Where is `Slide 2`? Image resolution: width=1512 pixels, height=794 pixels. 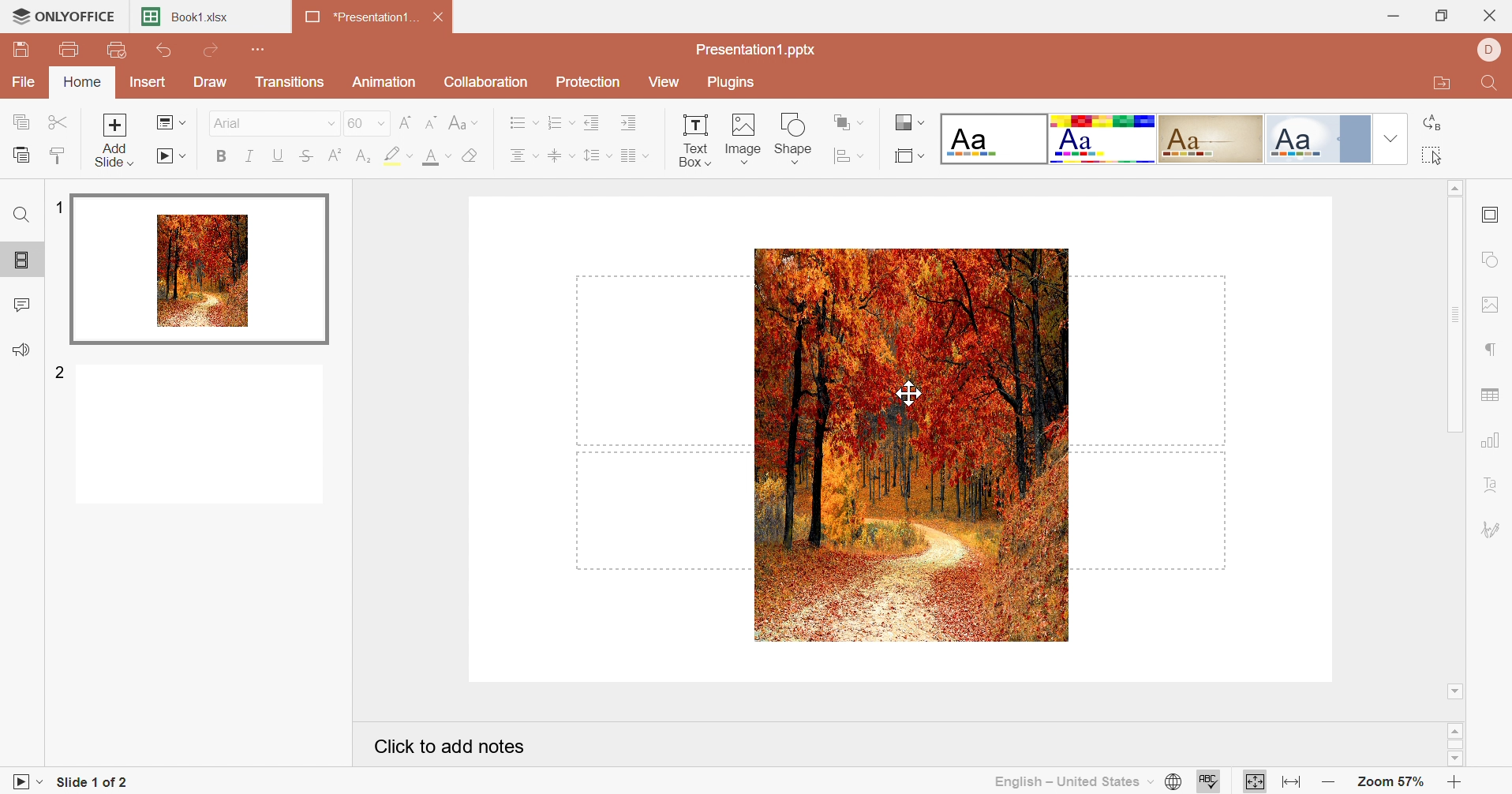
Slide 2 is located at coordinates (201, 436).